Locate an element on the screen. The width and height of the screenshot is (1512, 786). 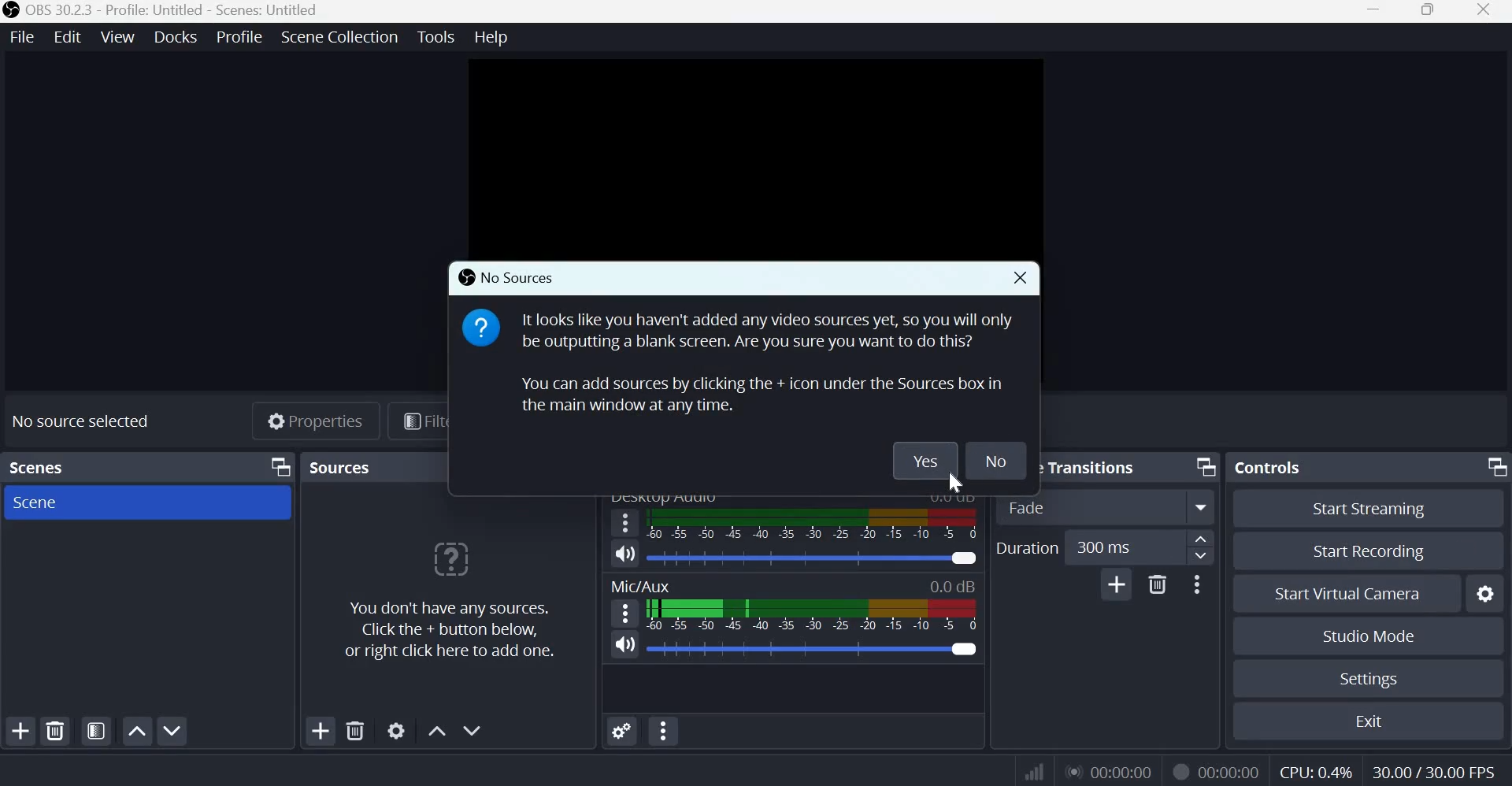
No sources is located at coordinates (507, 276).